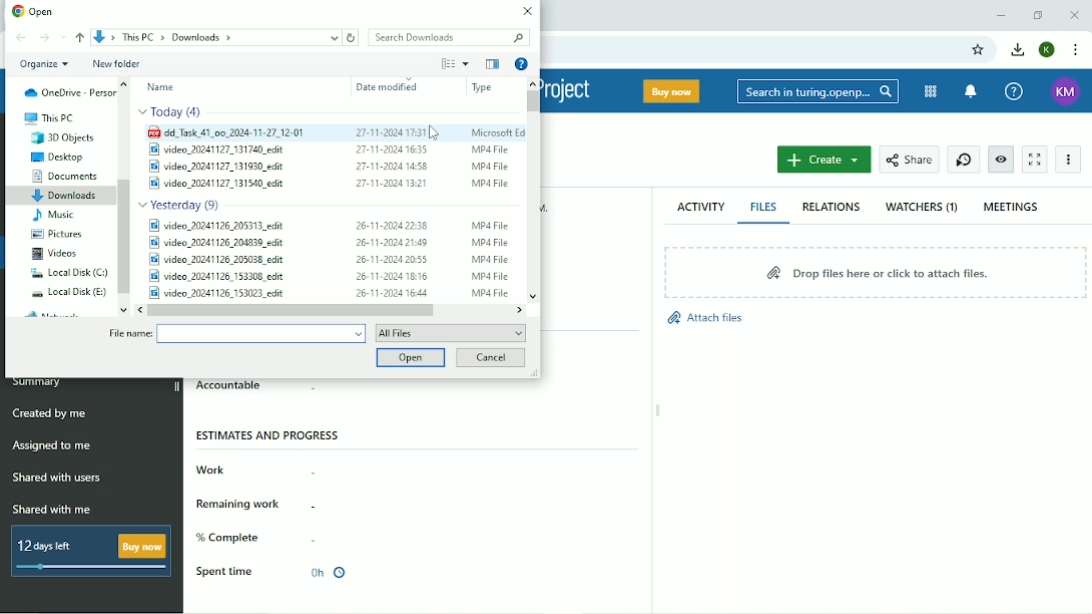 This screenshot has width=1092, height=614. What do you see at coordinates (909, 159) in the screenshot?
I see `Share` at bounding box center [909, 159].